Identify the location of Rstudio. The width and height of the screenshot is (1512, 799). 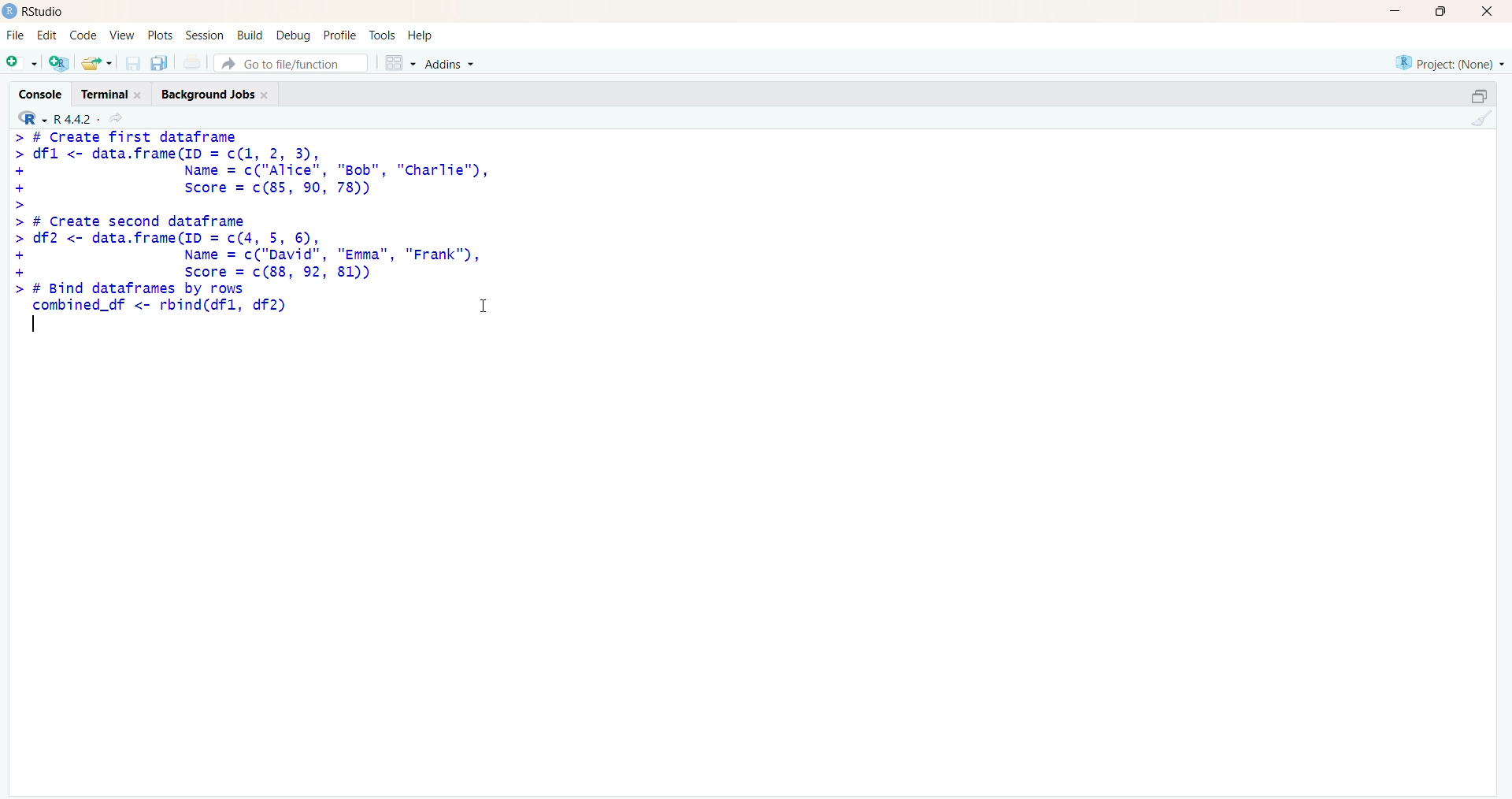
(44, 11).